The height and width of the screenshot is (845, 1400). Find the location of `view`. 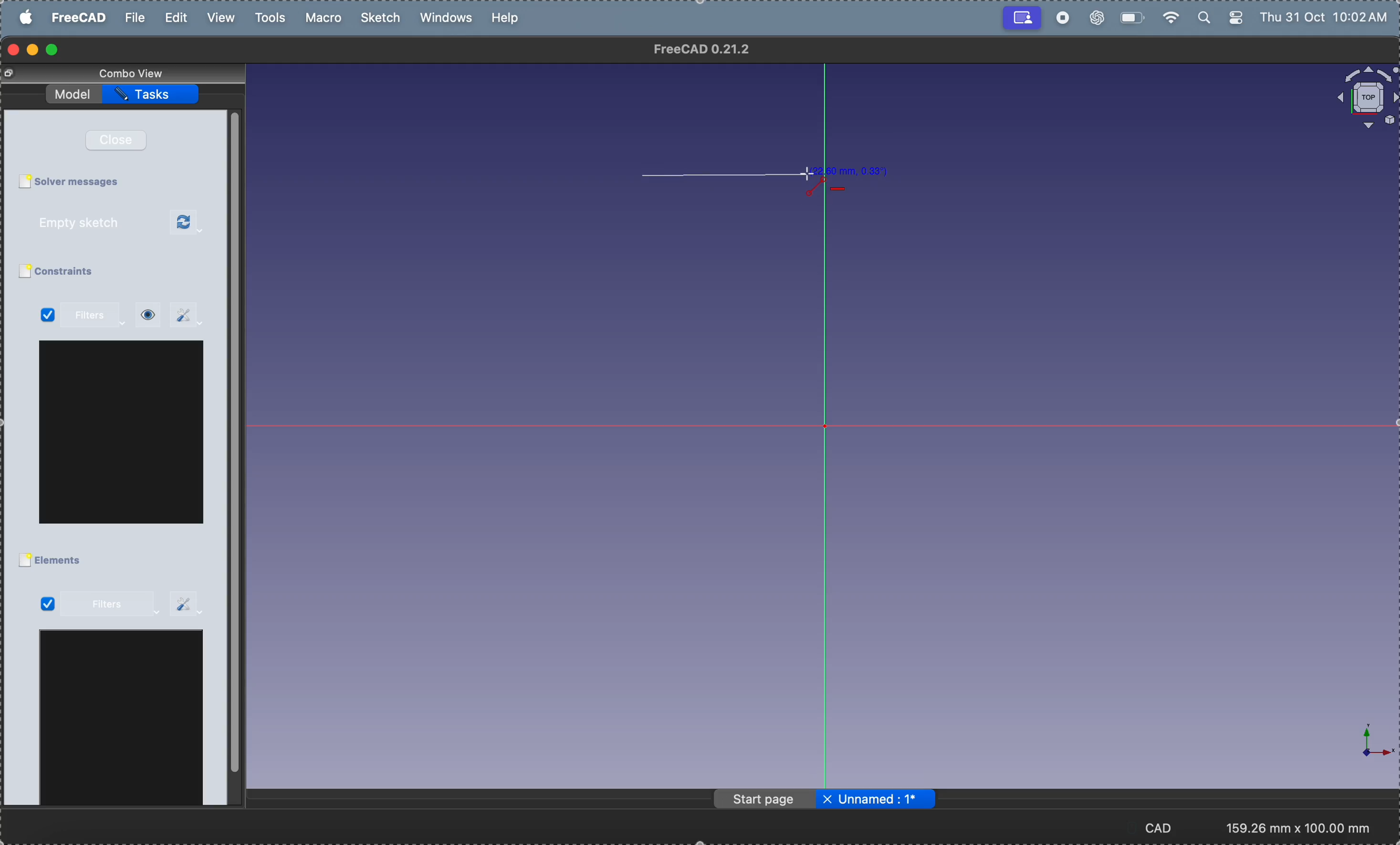

view is located at coordinates (148, 315).